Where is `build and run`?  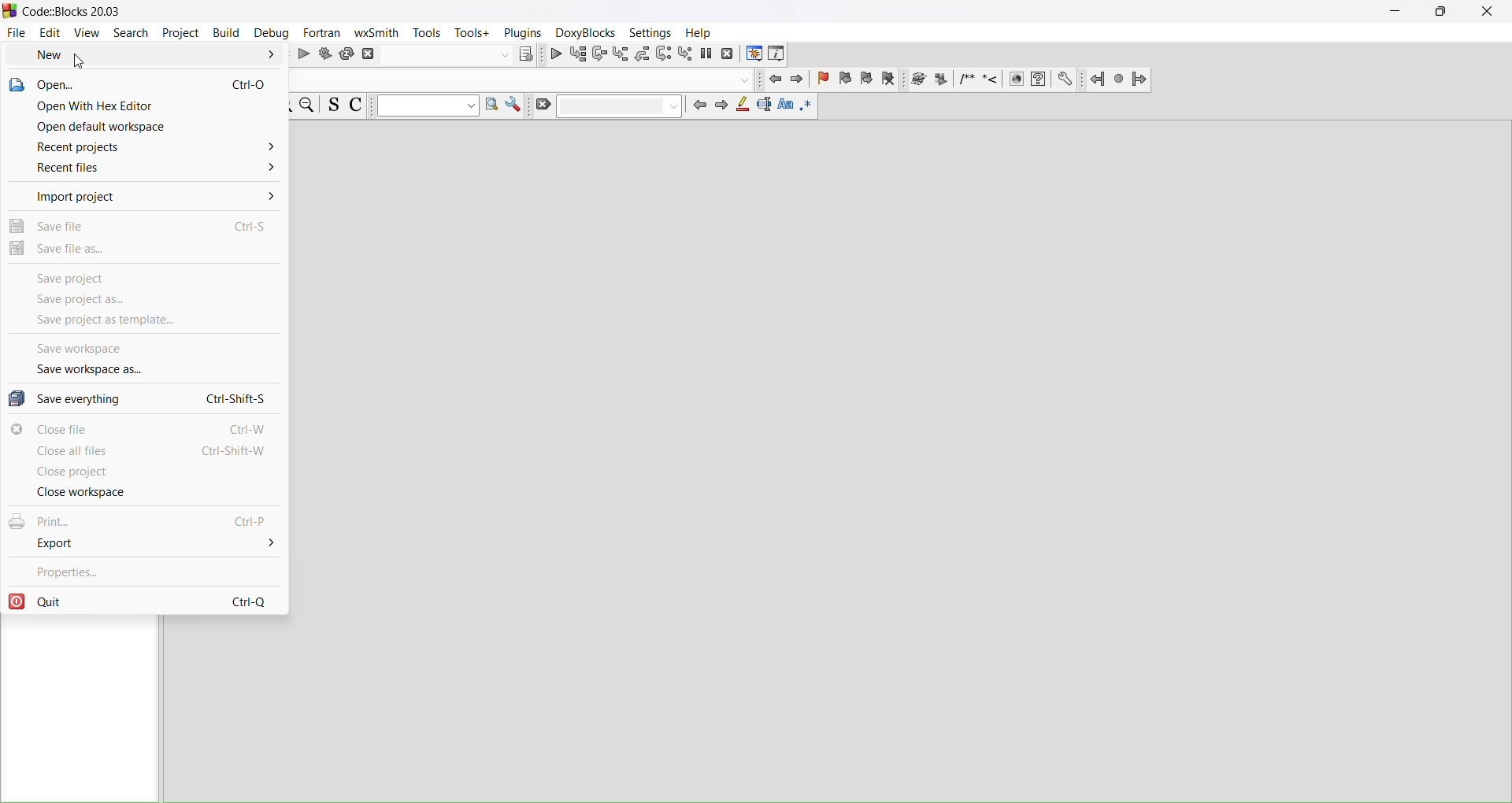 build and run is located at coordinates (326, 56).